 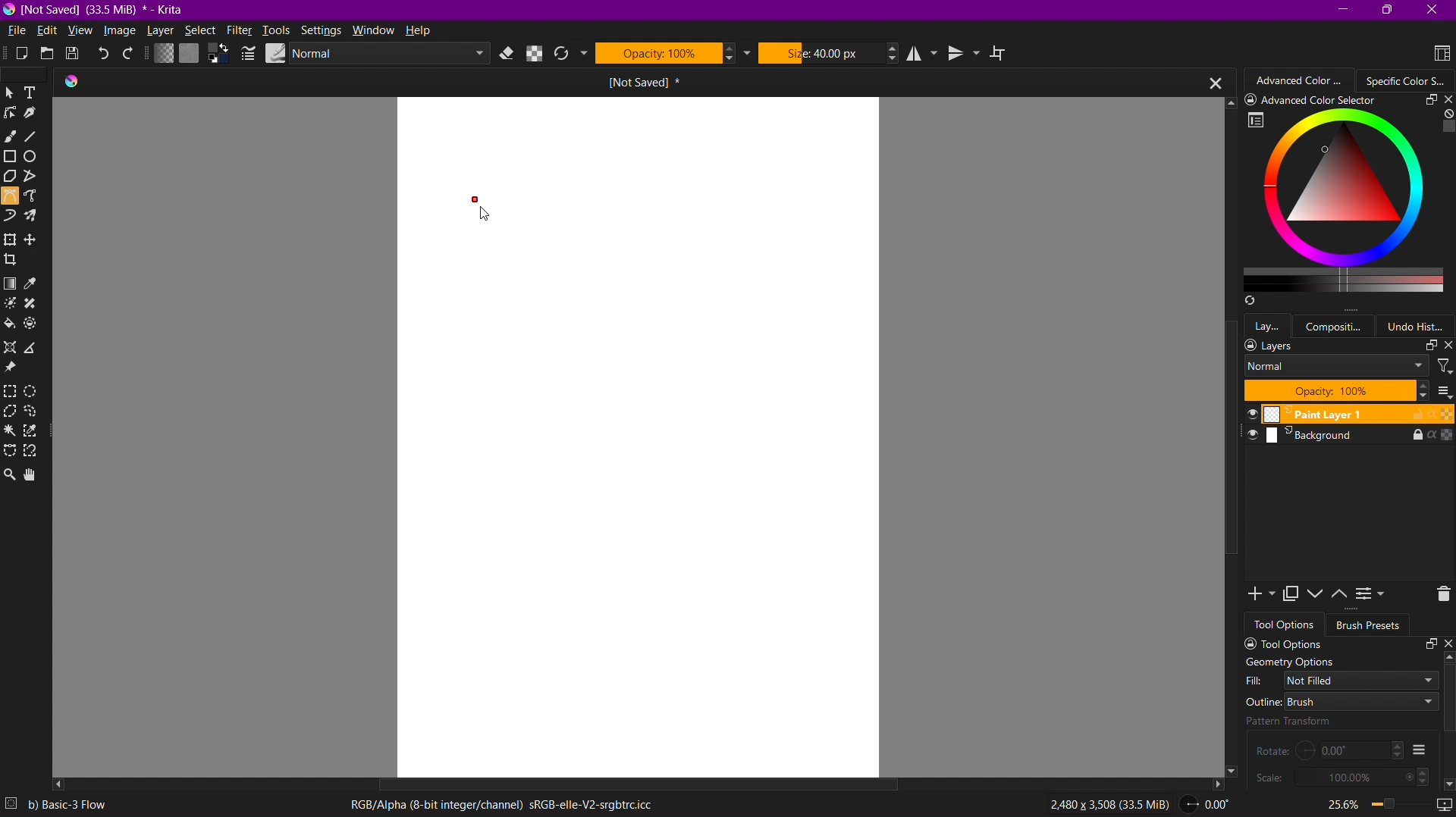 I want to click on Filters, so click(x=1444, y=365).